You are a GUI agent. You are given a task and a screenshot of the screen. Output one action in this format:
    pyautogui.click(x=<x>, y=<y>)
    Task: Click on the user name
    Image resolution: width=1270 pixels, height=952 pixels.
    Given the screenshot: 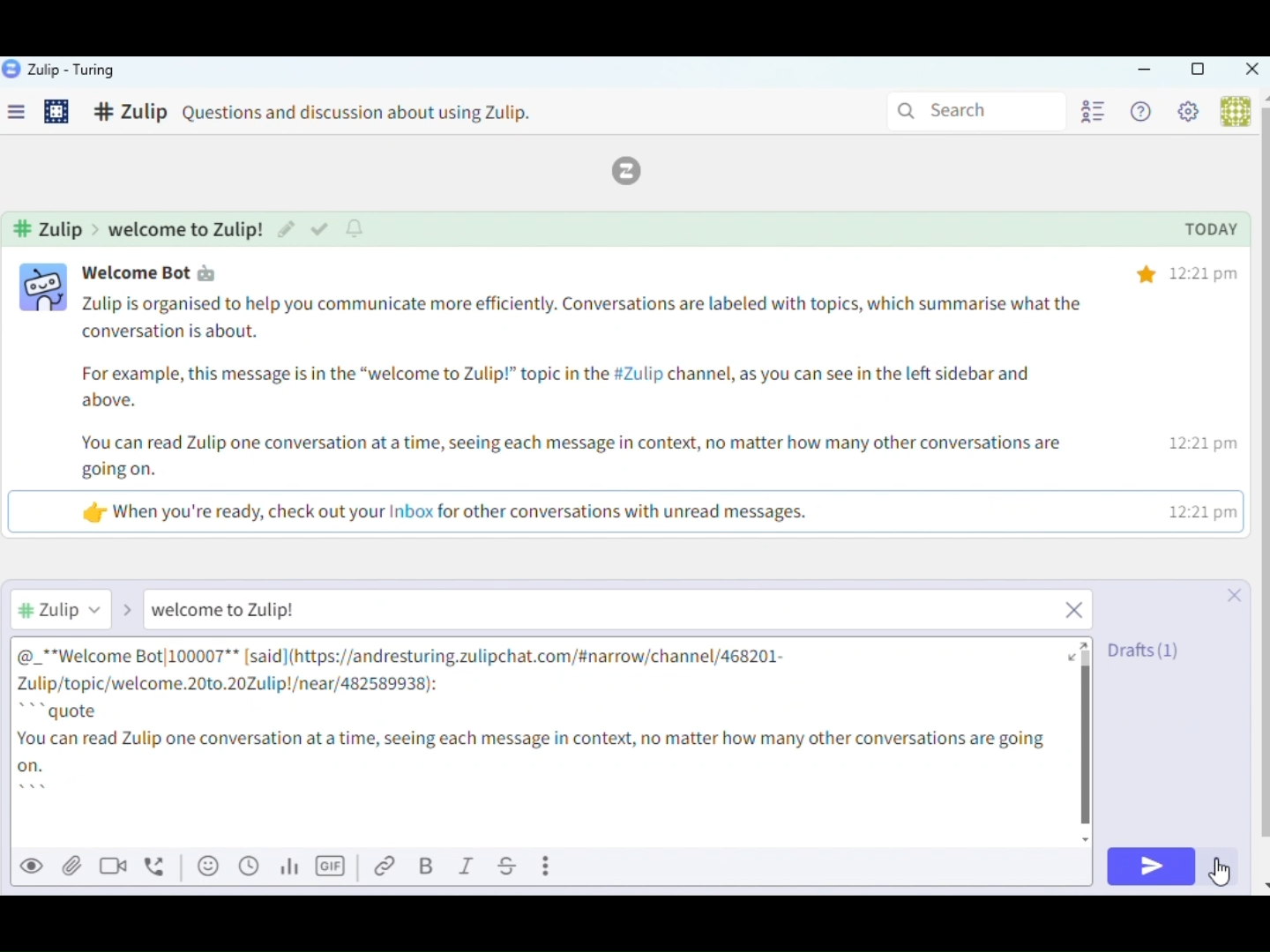 What is the action you would take?
    pyautogui.click(x=164, y=272)
    